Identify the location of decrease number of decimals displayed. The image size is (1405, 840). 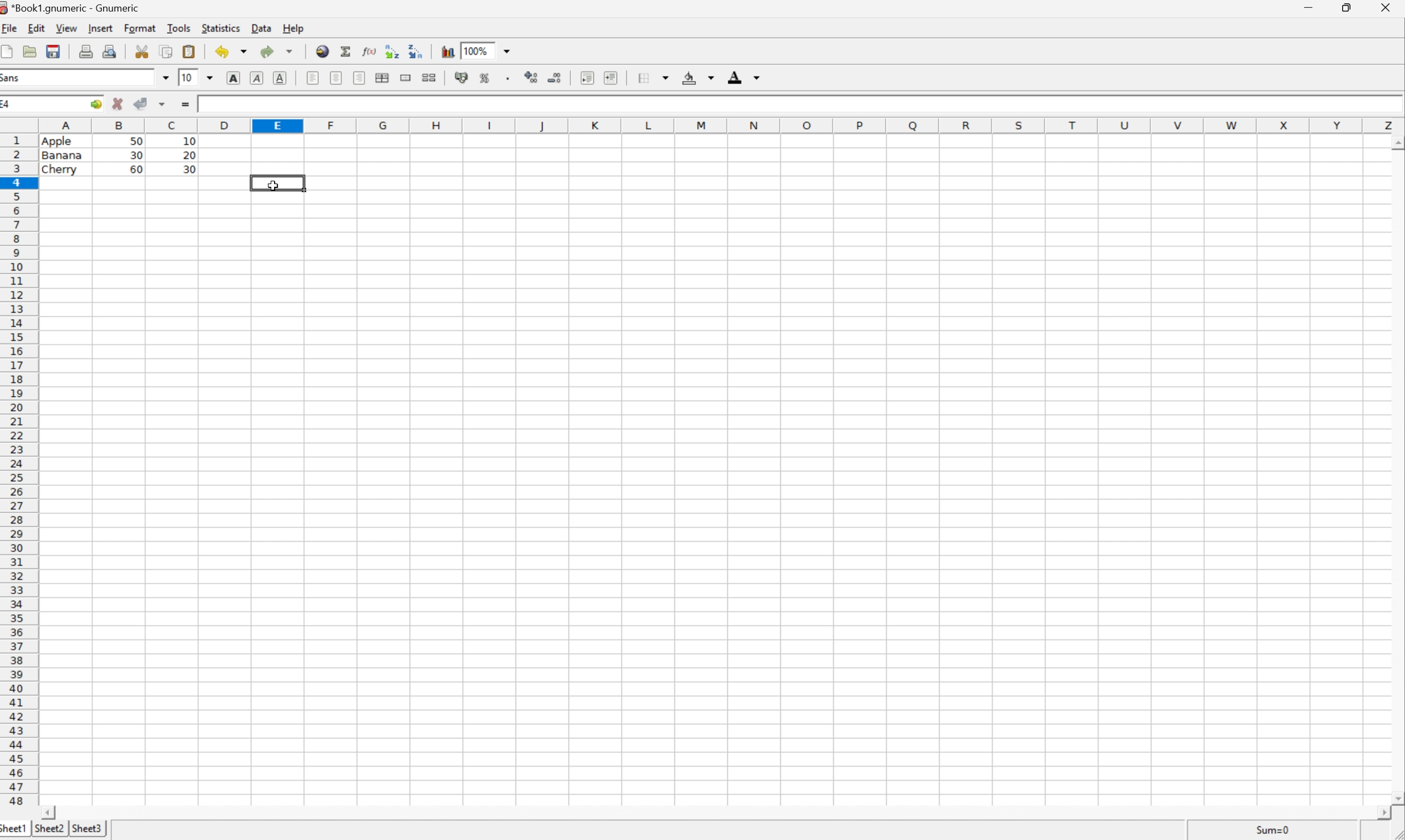
(554, 77).